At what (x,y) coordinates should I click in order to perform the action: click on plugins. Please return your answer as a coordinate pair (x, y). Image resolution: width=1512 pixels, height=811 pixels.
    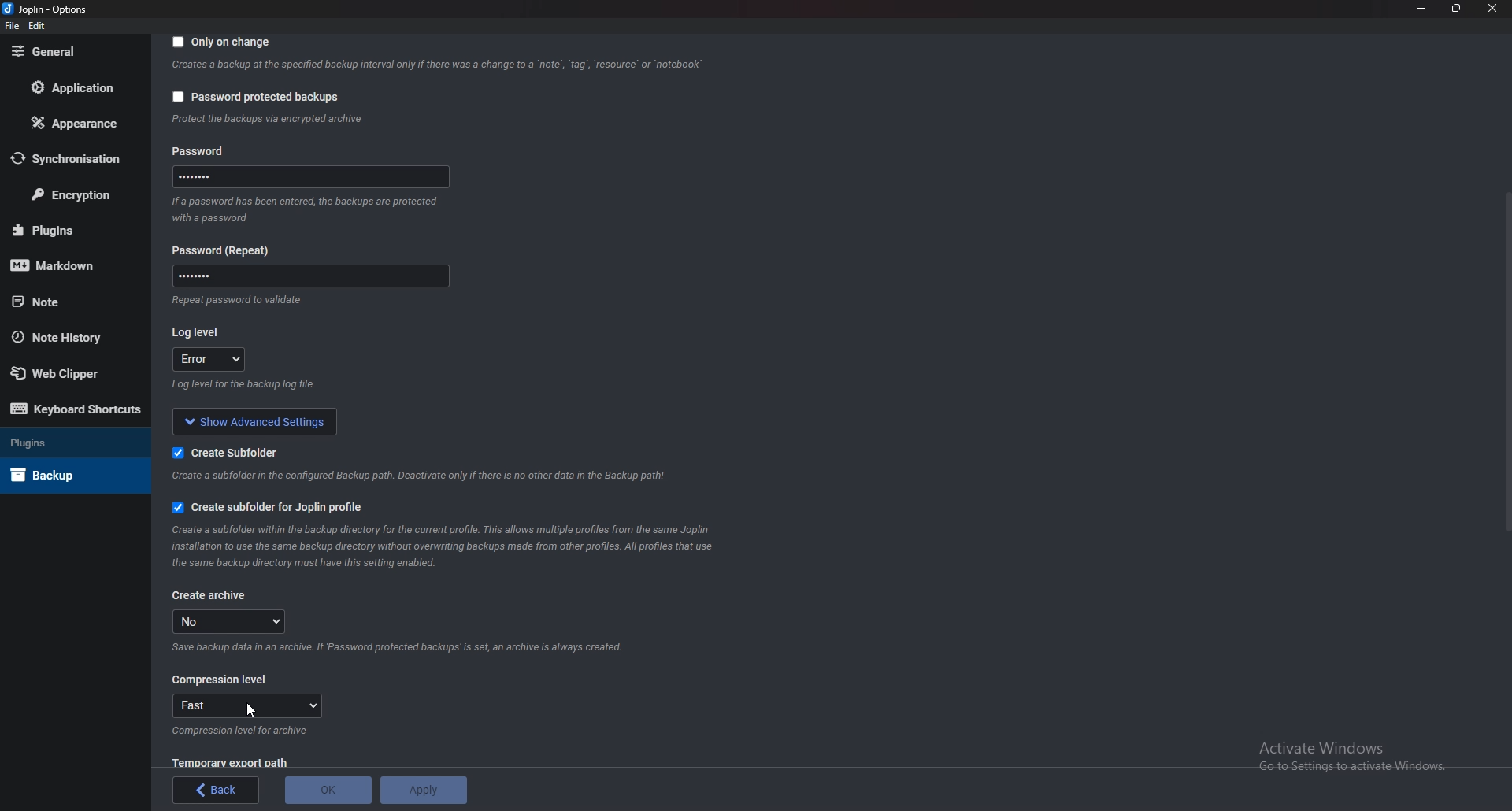
    Looking at the image, I should click on (66, 229).